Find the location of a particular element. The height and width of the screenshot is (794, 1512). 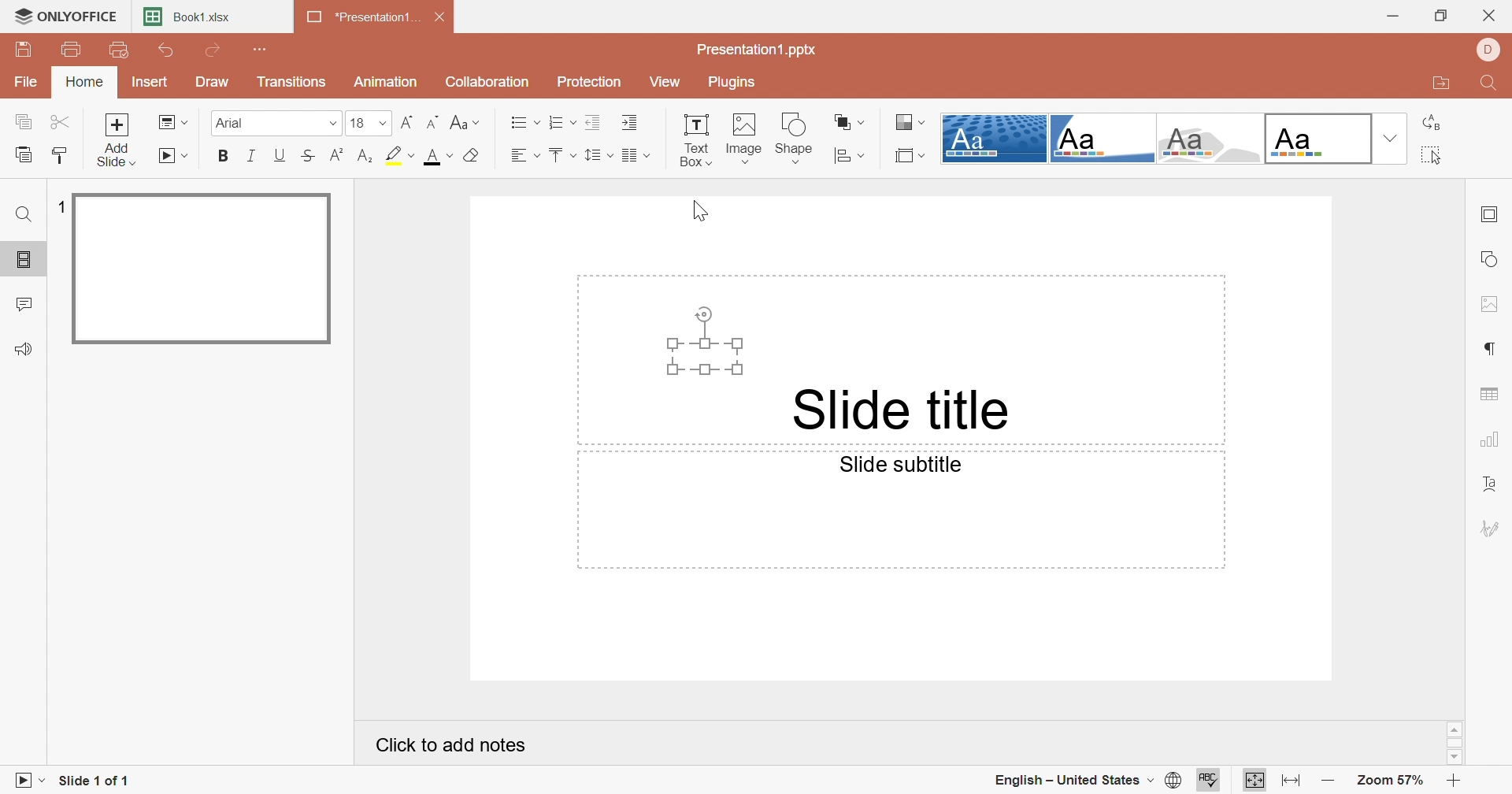

Quick print is located at coordinates (117, 49).